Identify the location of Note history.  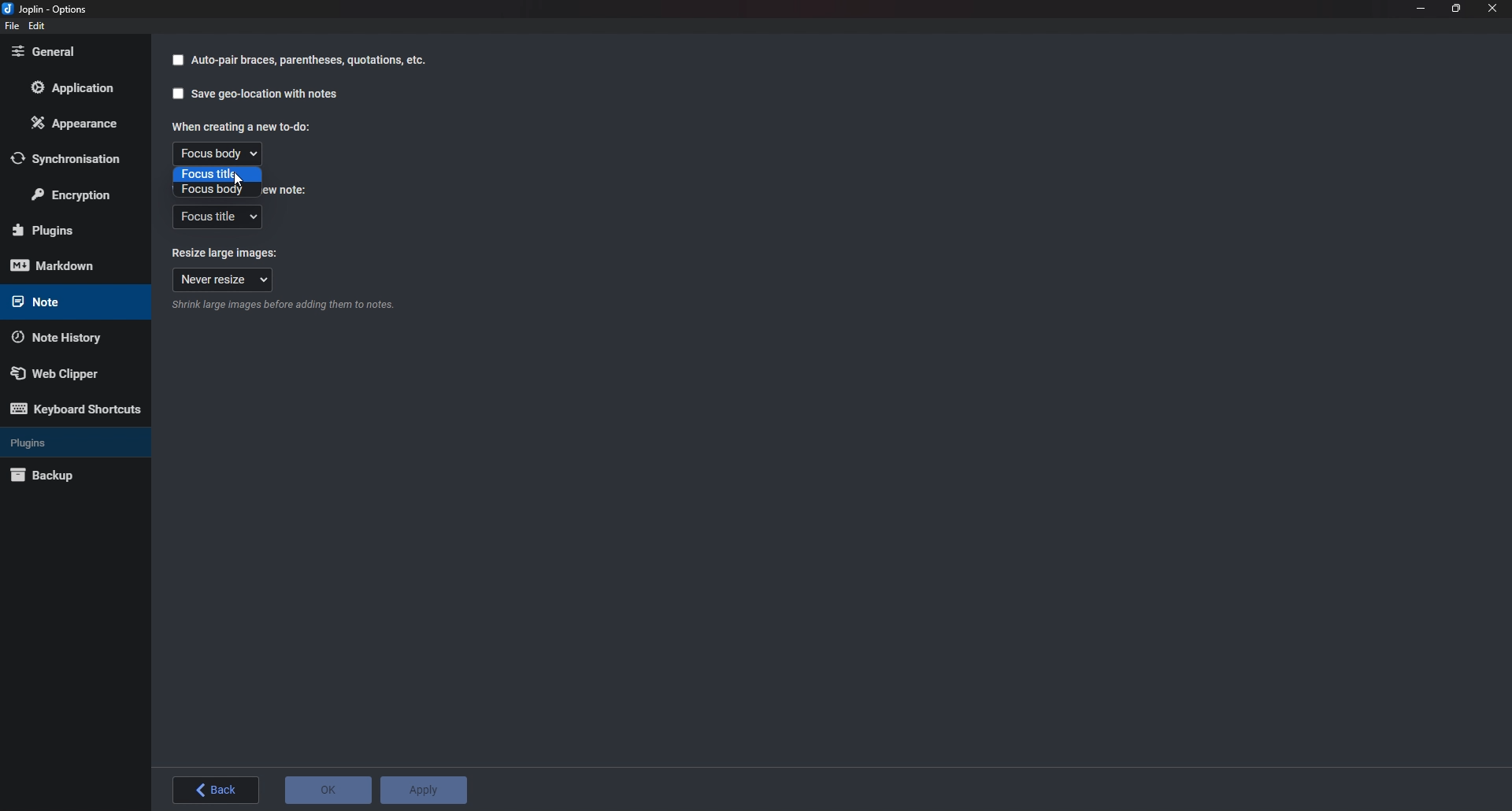
(69, 335).